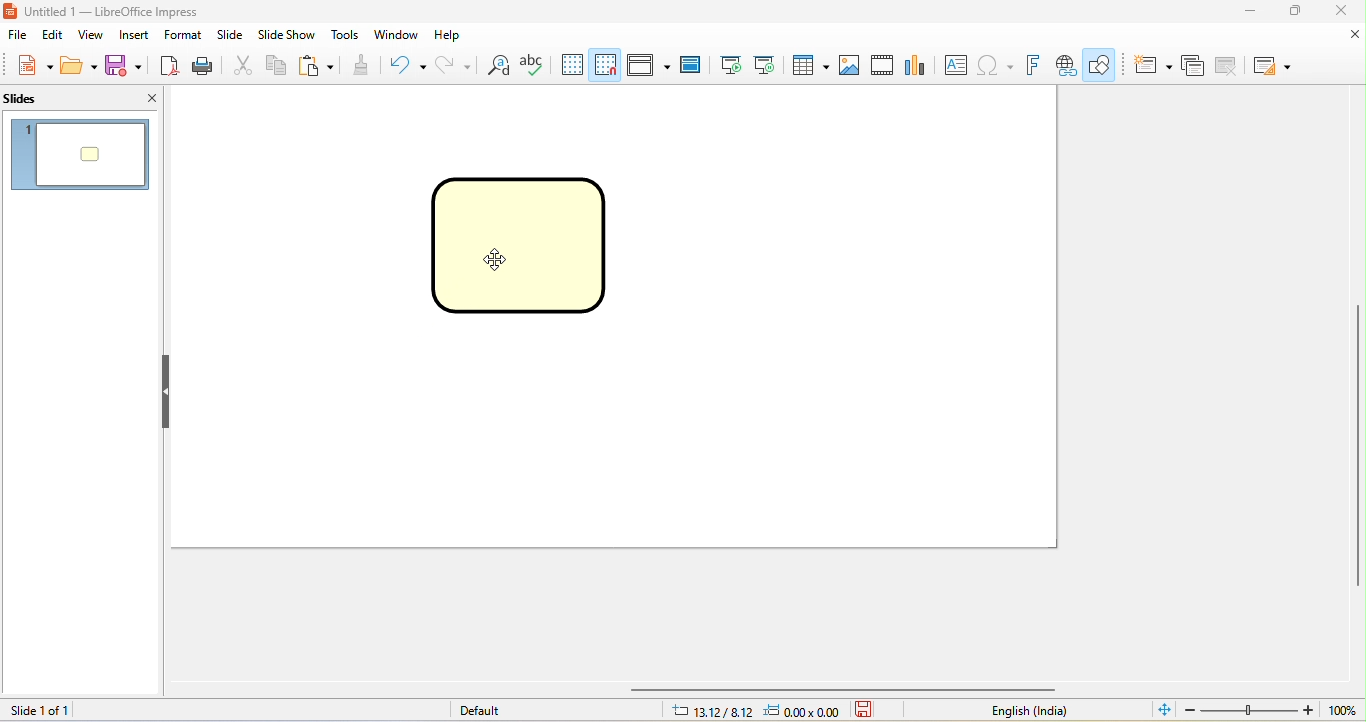 Image resolution: width=1366 pixels, height=722 pixels. I want to click on paste, so click(319, 66).